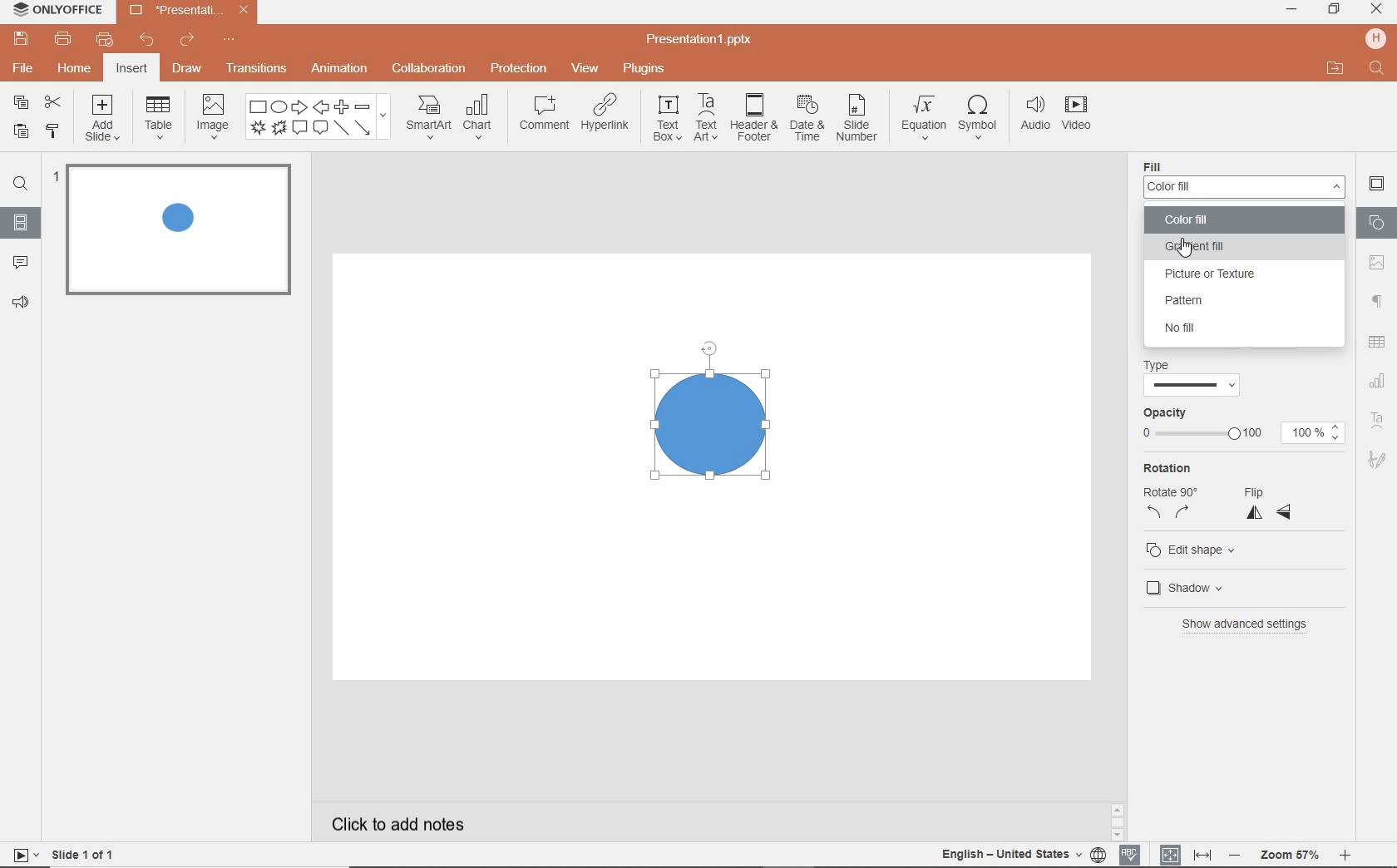 This screenshot has height=868, width=1397. What do you see at coordinates (1185, 300) in the screenshot?
I see `pattern` at bounding box center [1185, 300].